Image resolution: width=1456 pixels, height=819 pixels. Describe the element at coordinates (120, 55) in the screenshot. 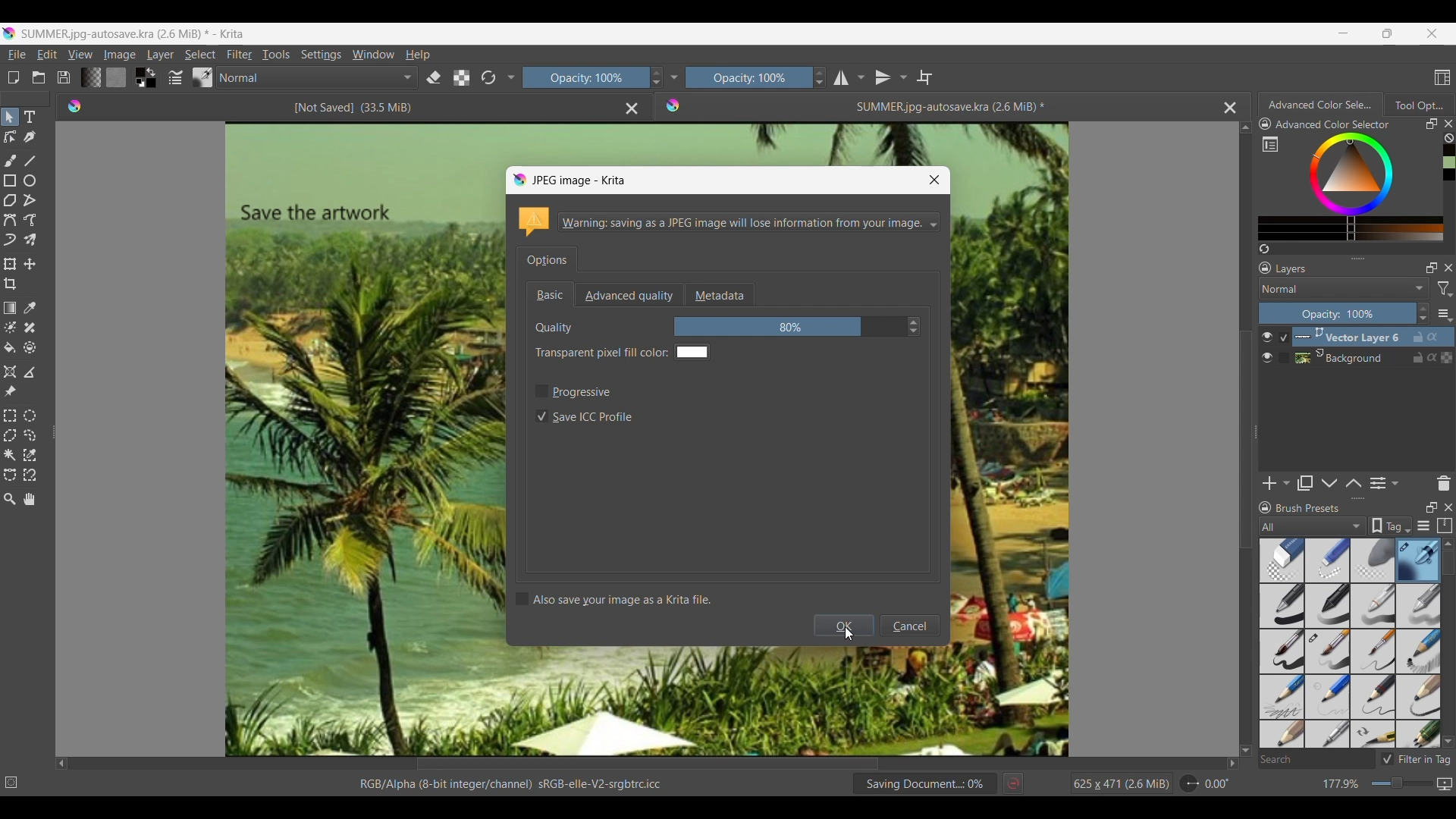

I see `Image` at that location.